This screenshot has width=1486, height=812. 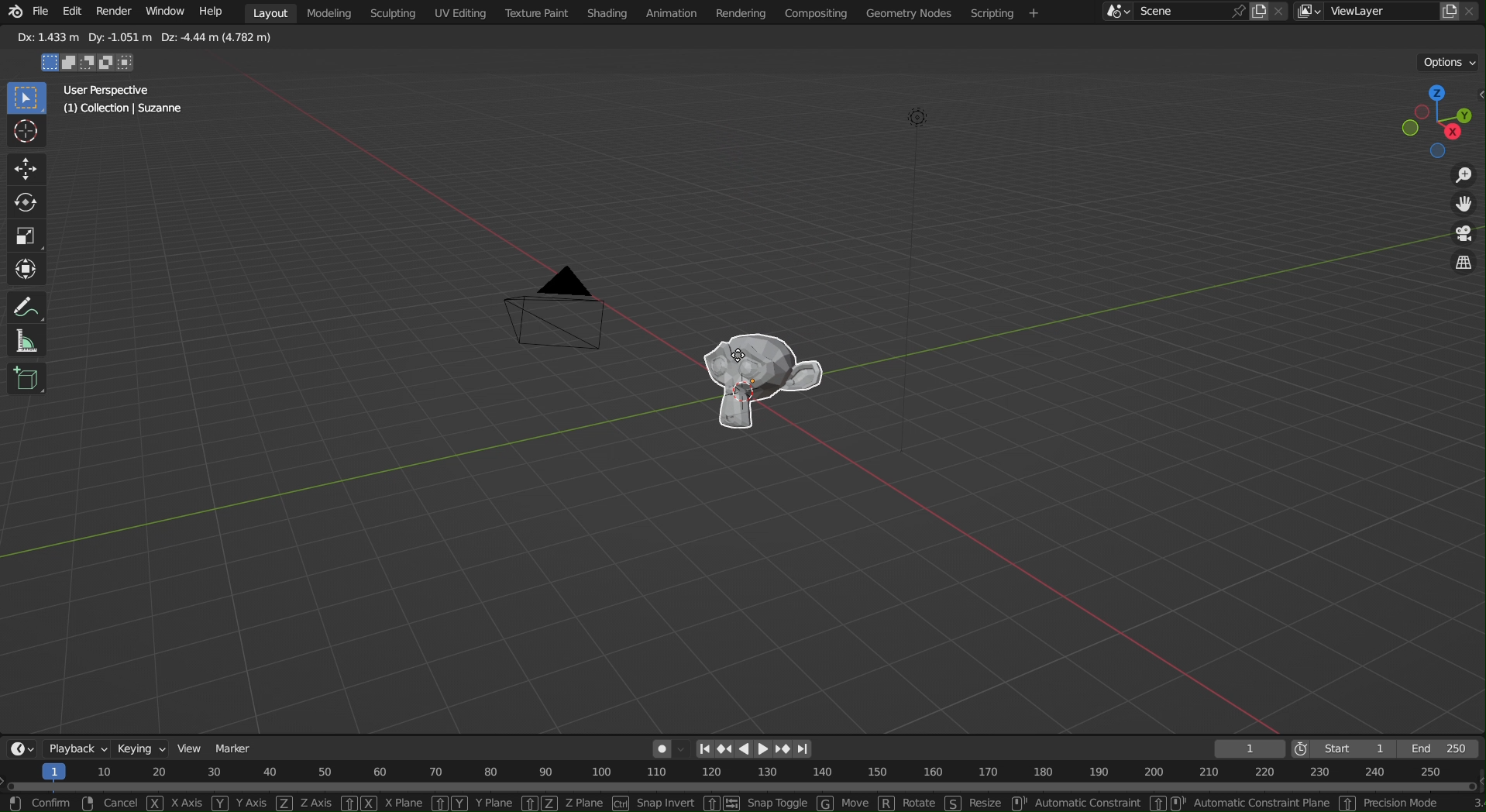 I want to click on shift and left right key, so click(x=720, y=803).